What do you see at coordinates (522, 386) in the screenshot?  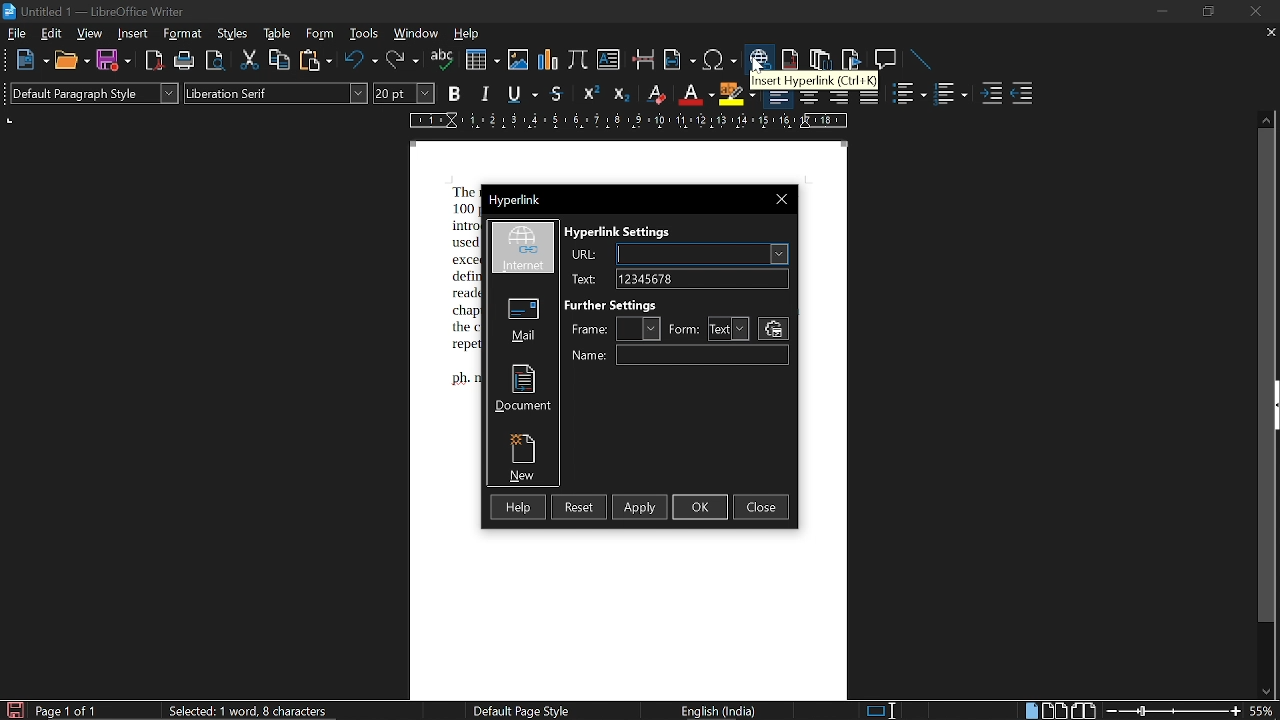 I see `document` at bounding box center [522, 386].